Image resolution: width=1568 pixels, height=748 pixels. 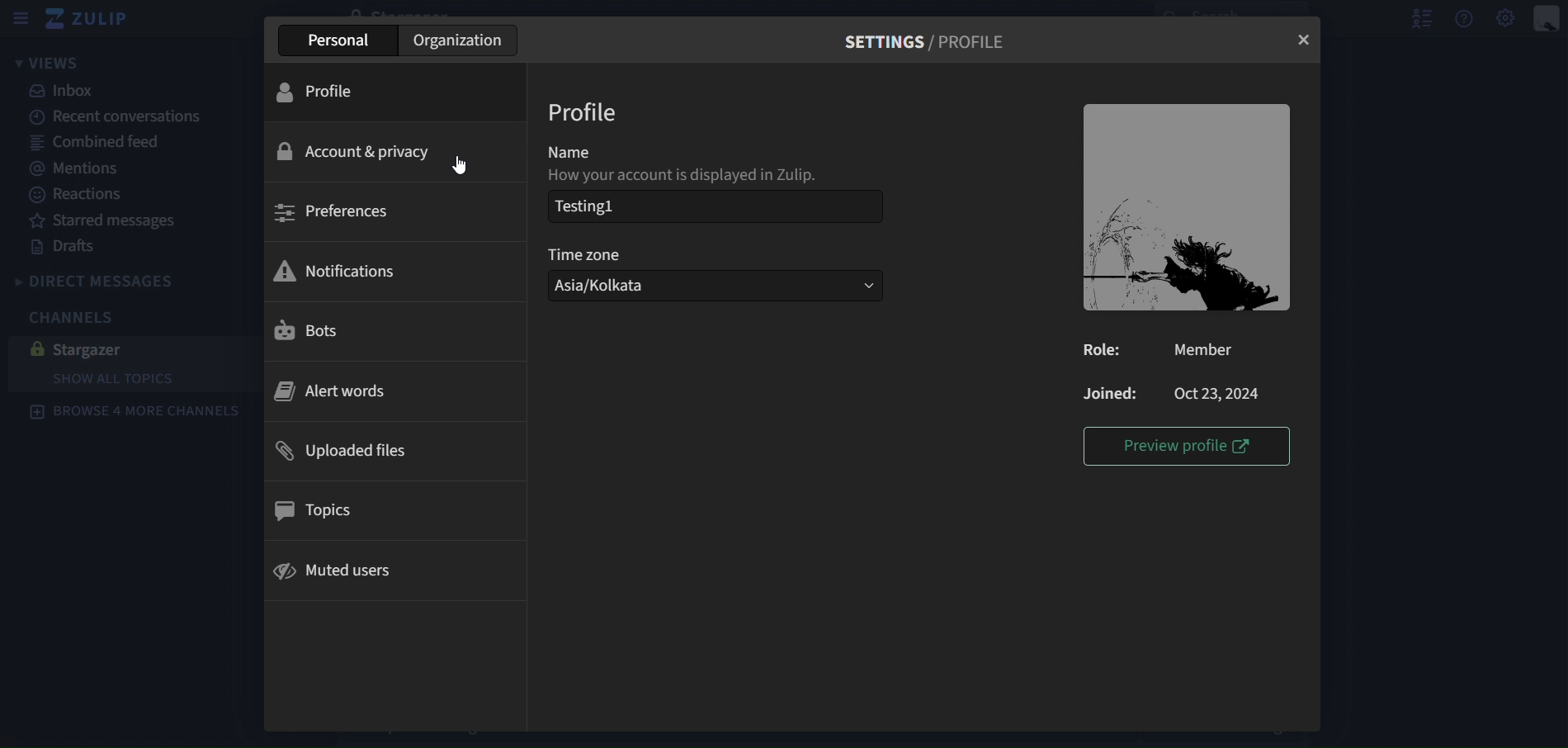 I want to click on Asia/Kolkata , so click(x=715, y=287).